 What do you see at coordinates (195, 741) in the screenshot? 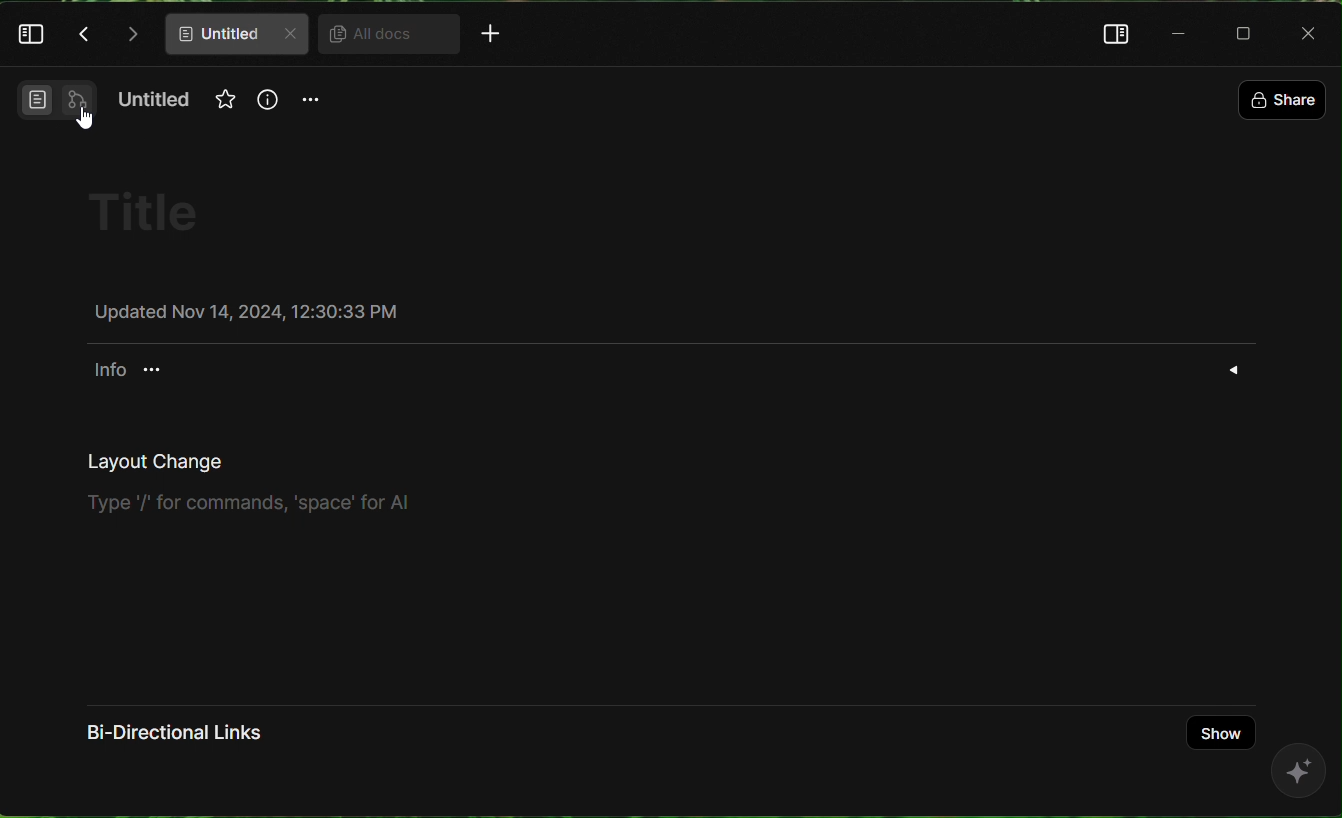
I see `Bi directional links` at bounding box center [195, 741].